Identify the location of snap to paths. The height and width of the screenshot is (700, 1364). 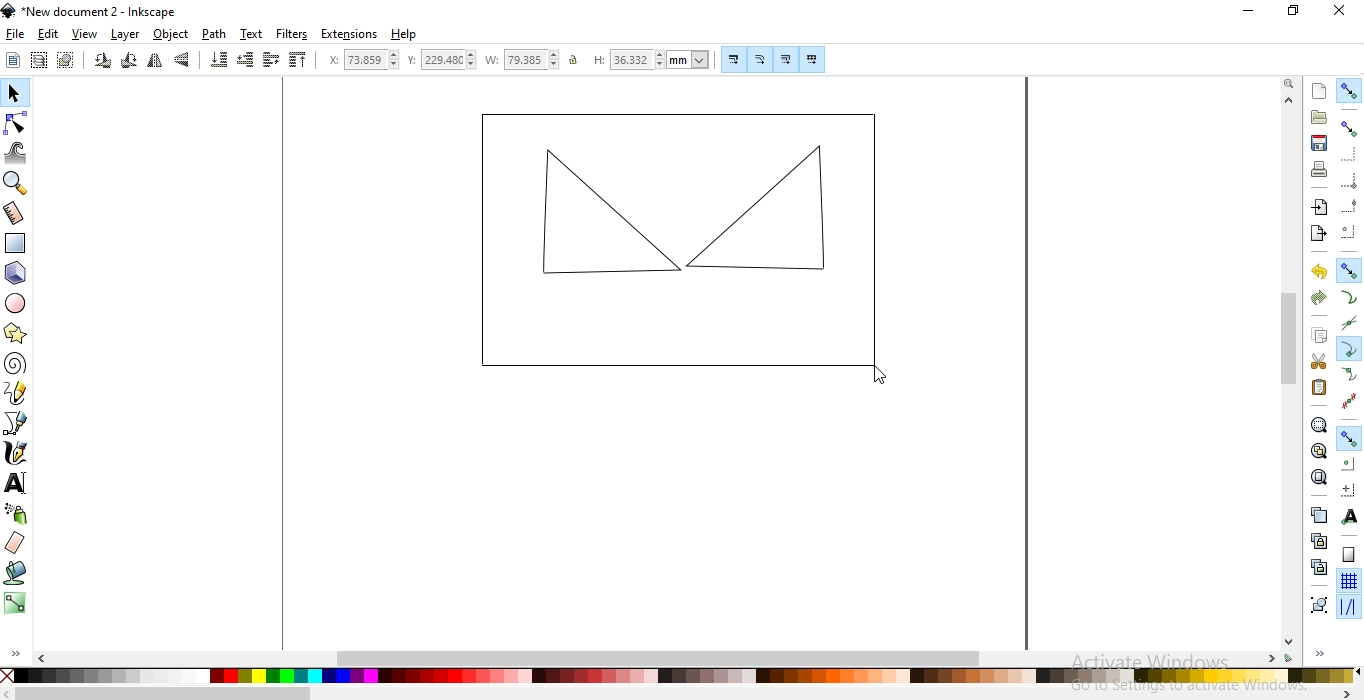
(1348, 297).